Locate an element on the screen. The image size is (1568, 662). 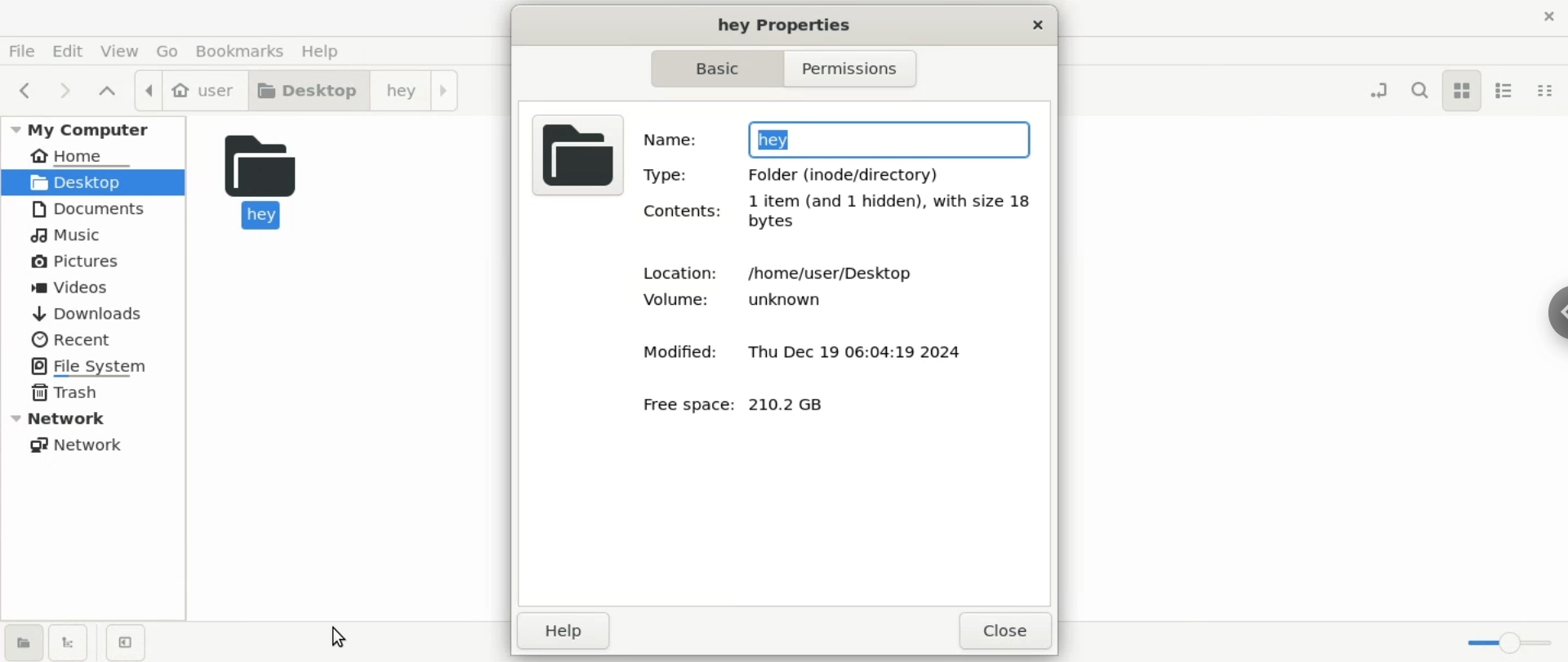
edit is located at coordinates (69, 50).